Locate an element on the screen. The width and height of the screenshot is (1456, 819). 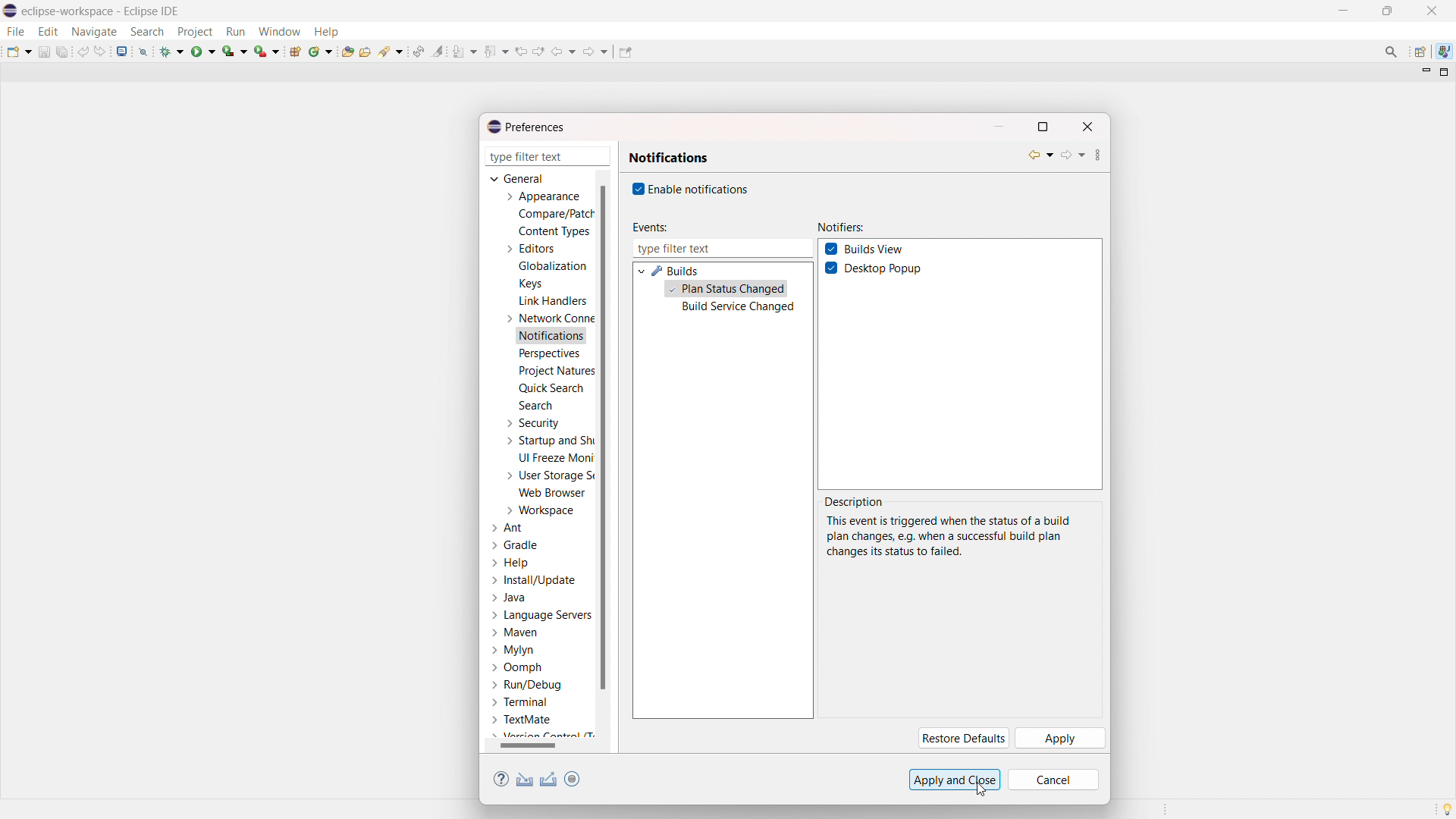
minimize view is located at coordinates (1424, 71).